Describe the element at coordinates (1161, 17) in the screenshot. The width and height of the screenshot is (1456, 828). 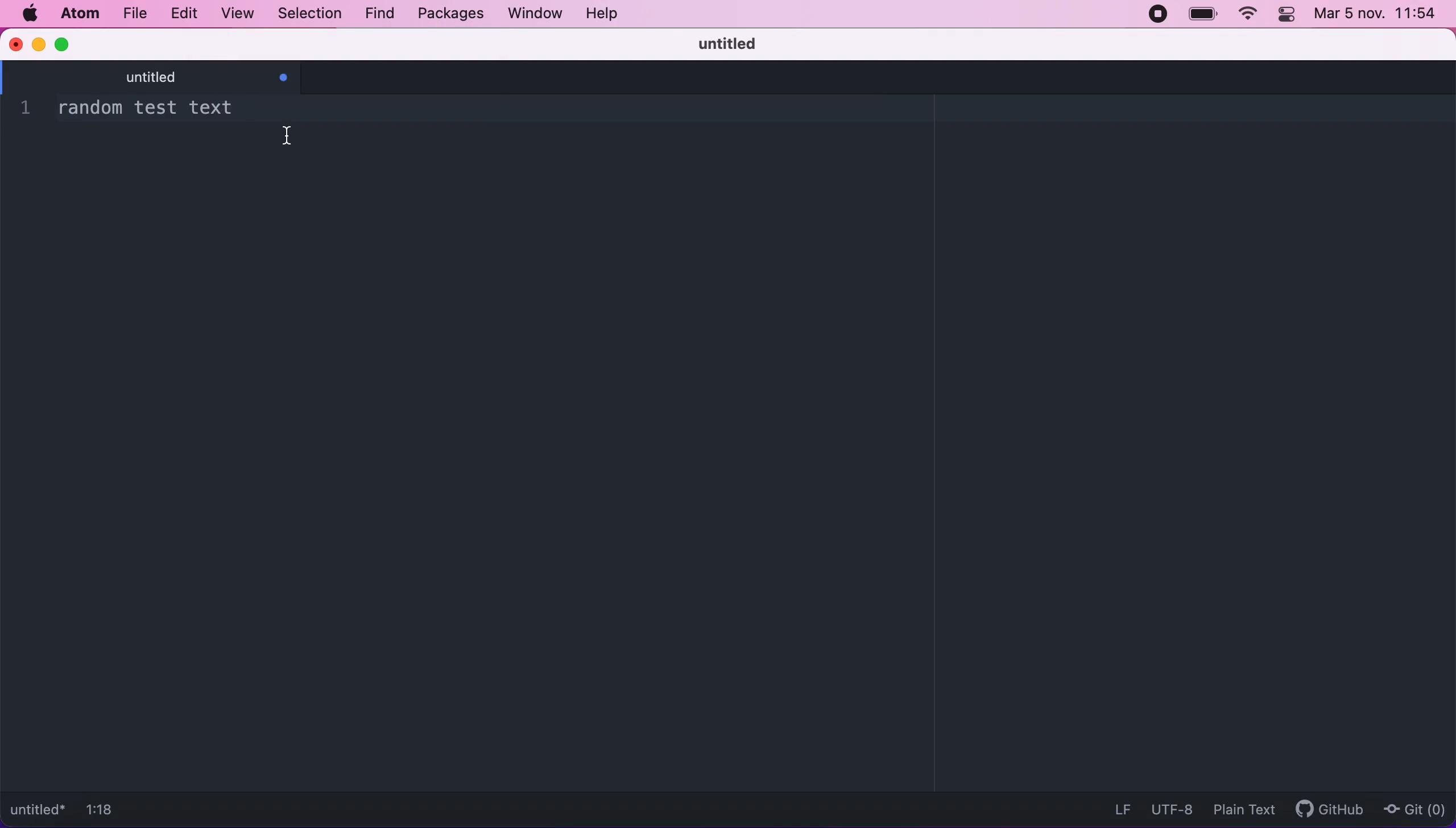
I see `recording stopped` at that location.